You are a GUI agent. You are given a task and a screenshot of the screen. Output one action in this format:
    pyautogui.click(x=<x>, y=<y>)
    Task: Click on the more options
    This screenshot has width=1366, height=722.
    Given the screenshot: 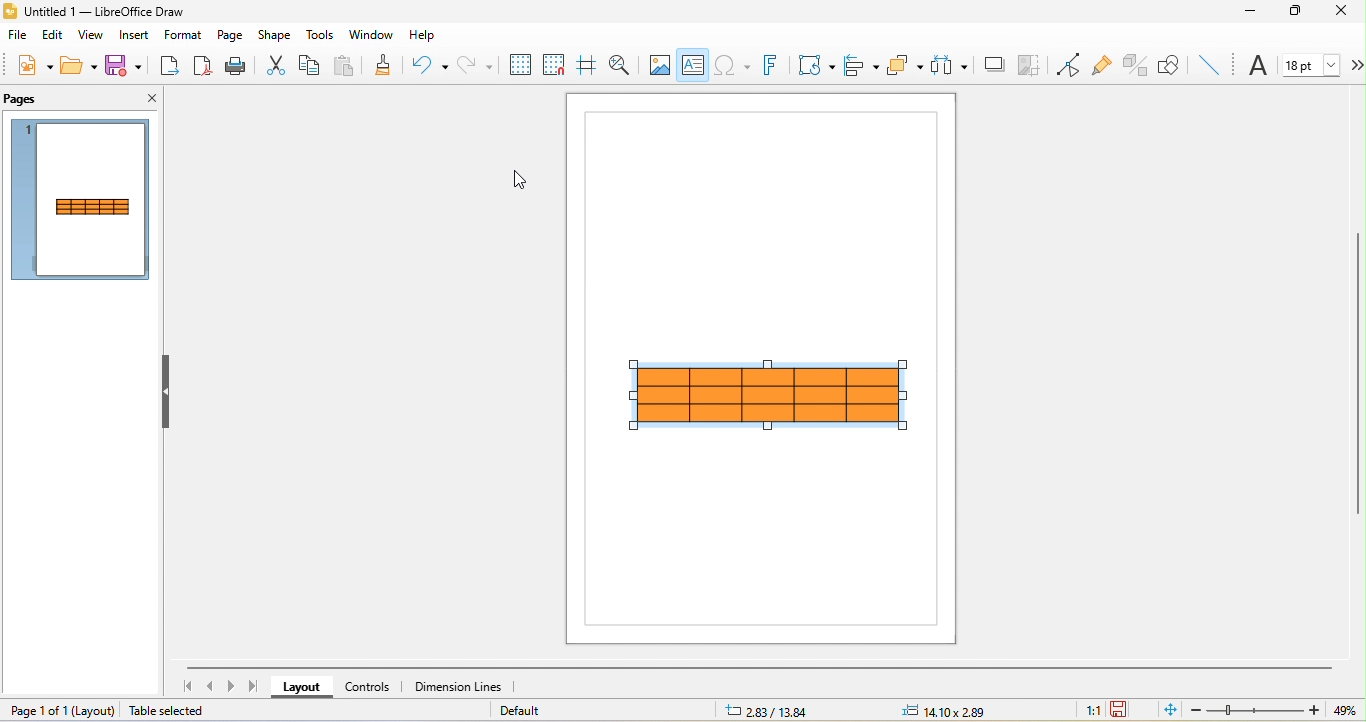 What is the action you would take?
    pyautogui.click(x=1353, y=64)
    